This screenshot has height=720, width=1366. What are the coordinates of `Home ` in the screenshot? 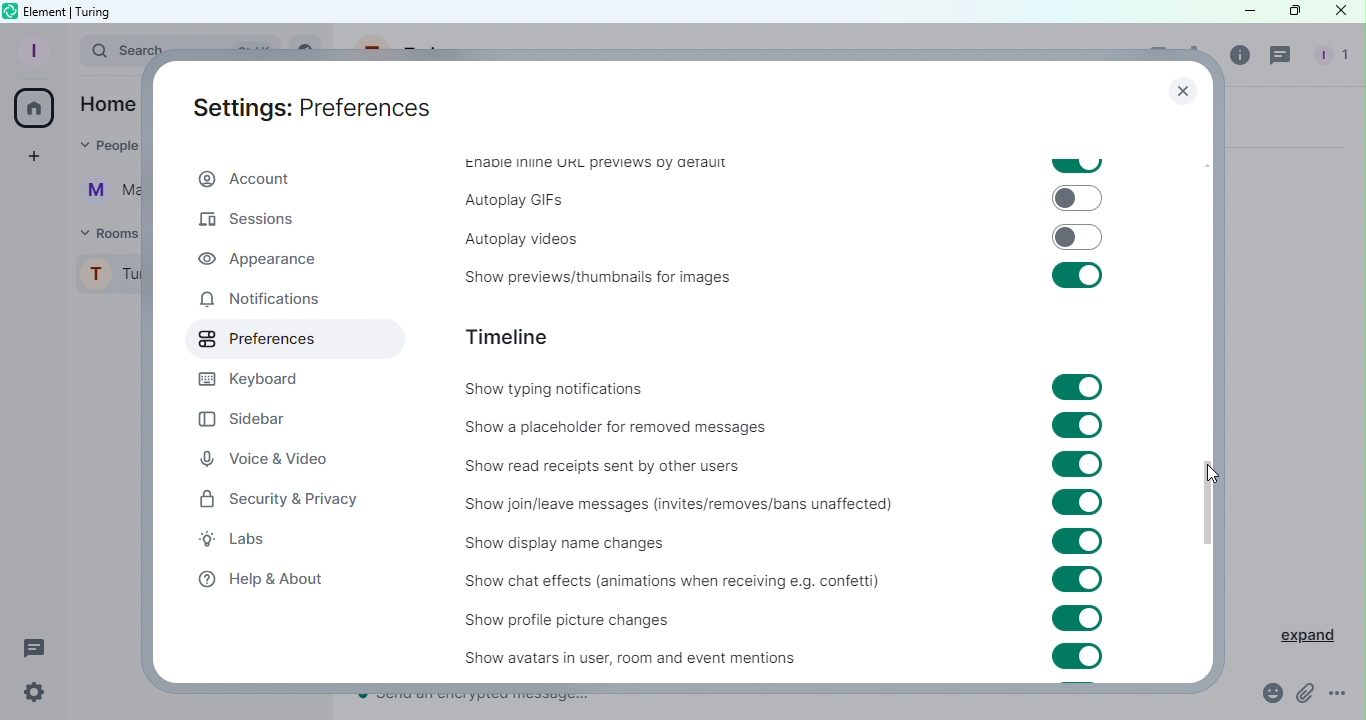 It's located at (108, 103).